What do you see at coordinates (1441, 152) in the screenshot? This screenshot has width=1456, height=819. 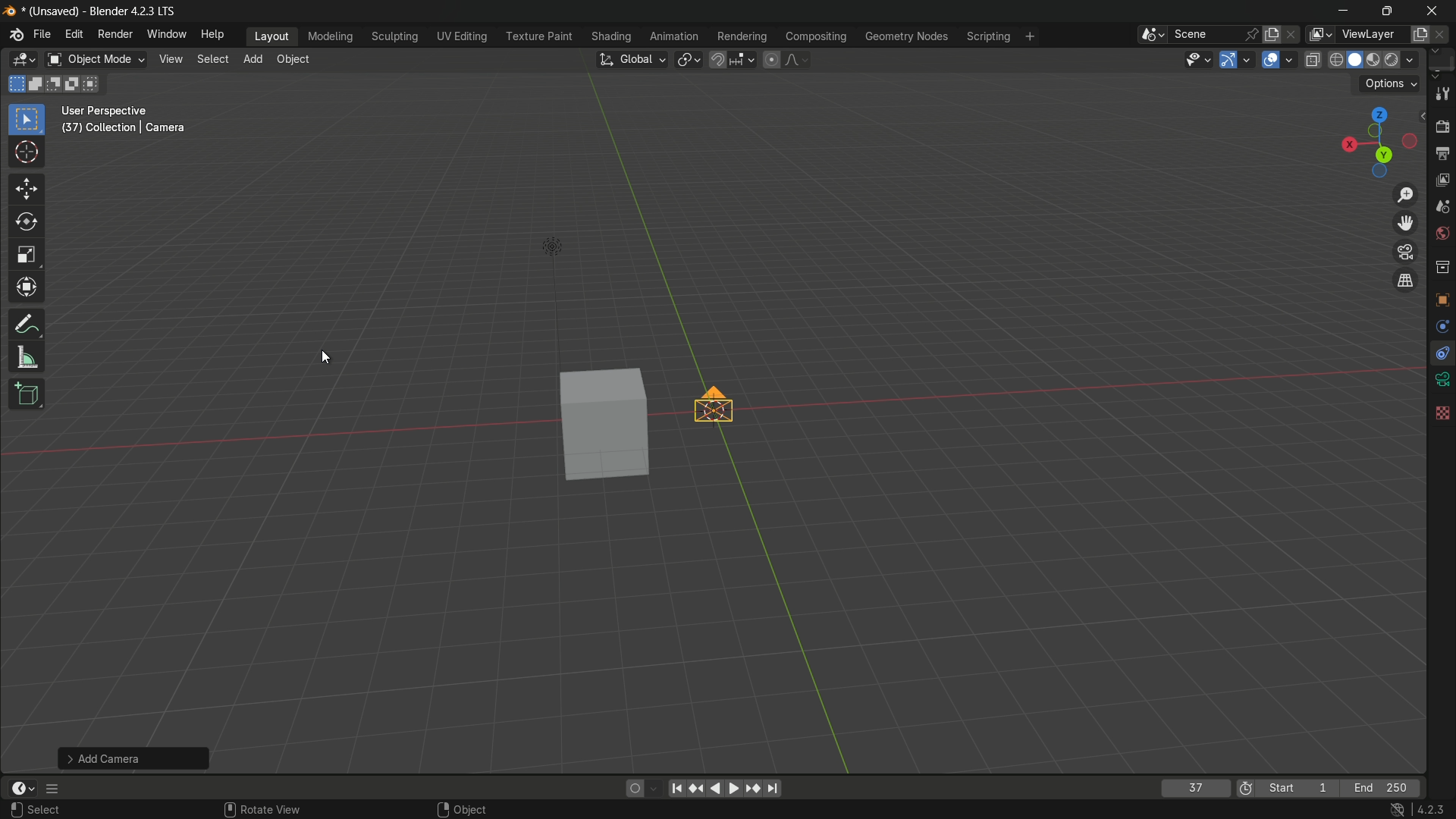 I see `output` at bounding box center [1441, 152].